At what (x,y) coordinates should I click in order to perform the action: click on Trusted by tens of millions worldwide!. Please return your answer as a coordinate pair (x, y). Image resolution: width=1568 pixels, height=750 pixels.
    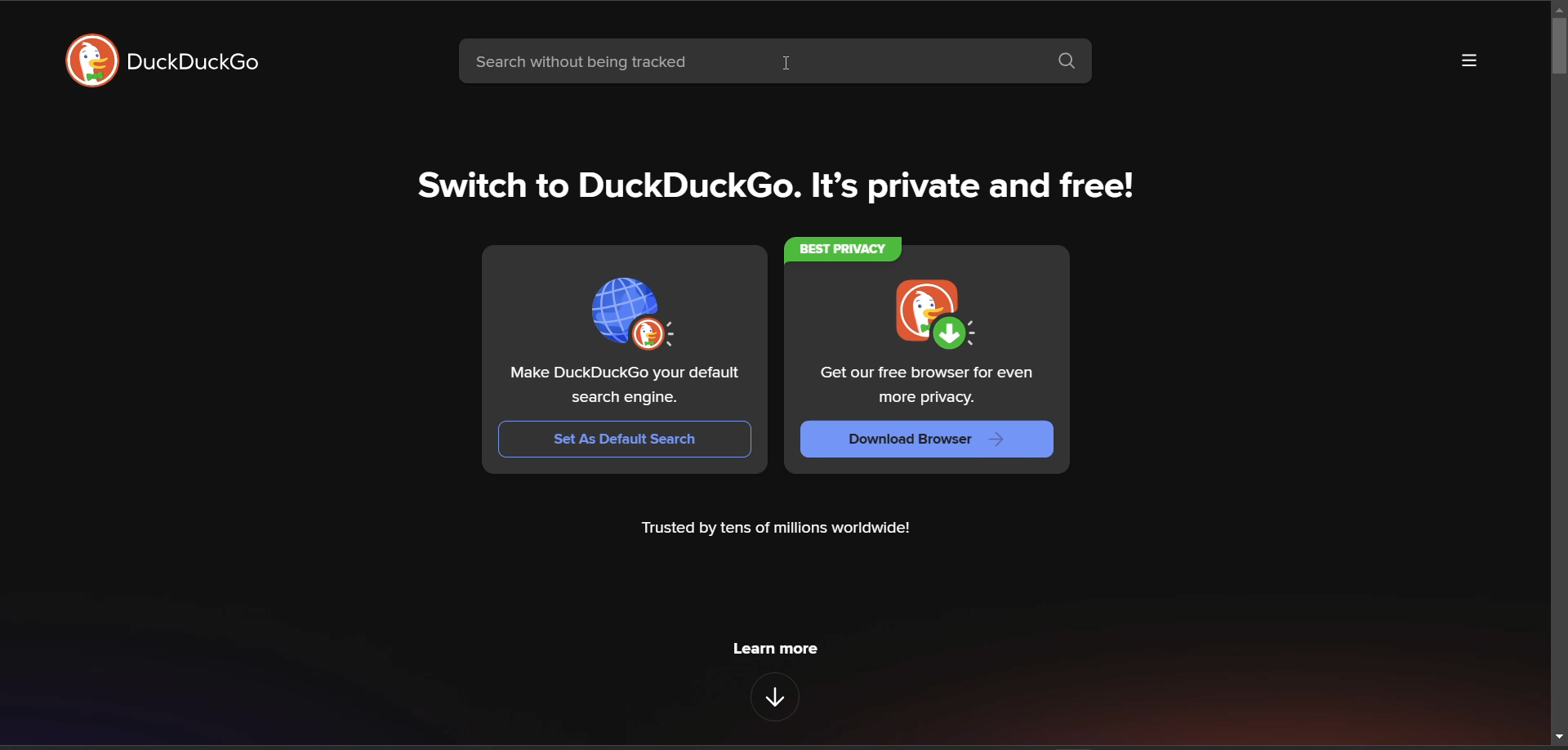
    Looking at the image, I should click on (778, 531).